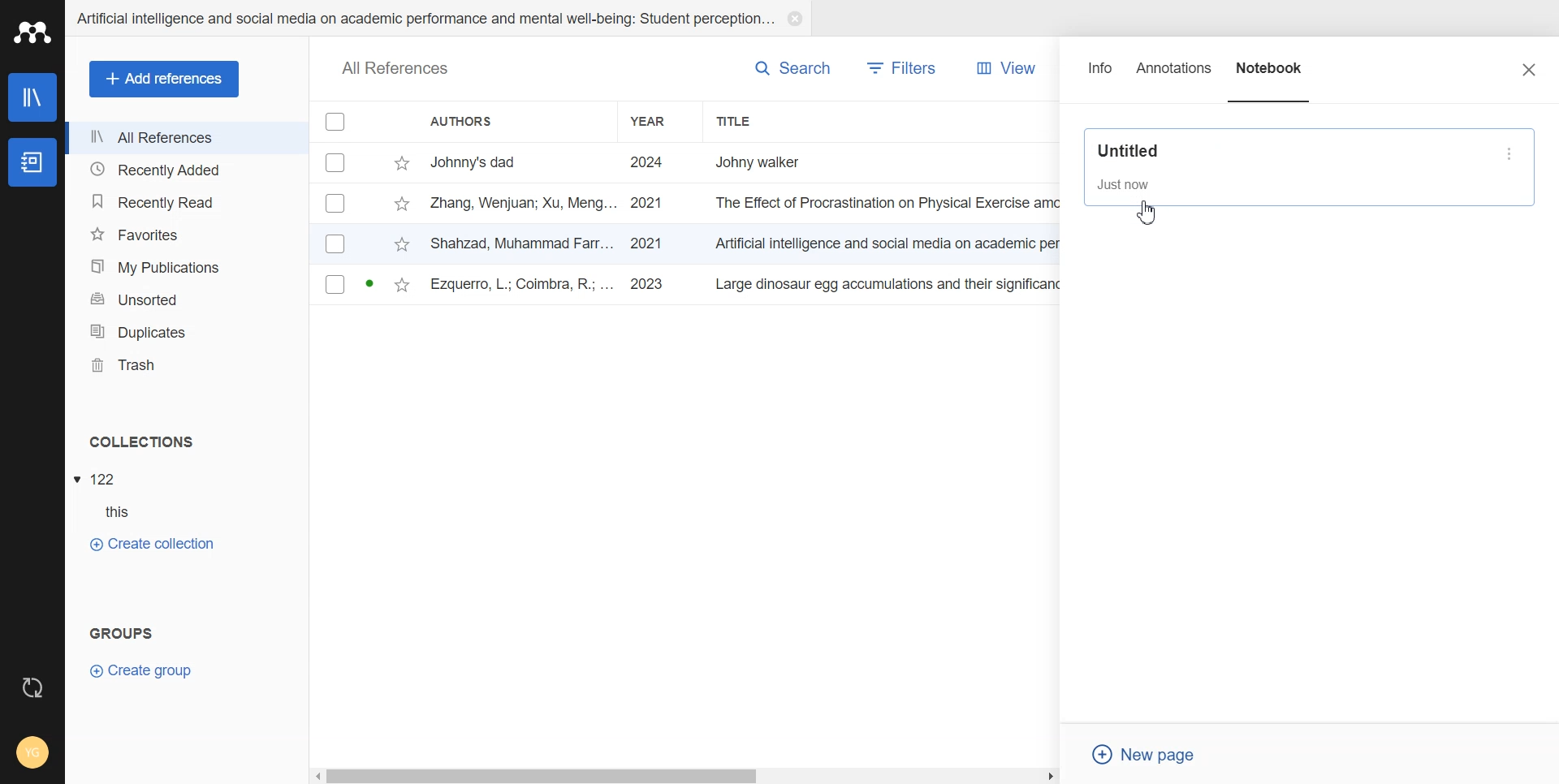  What do you see at coordinates (767, 121) in the screenshot?
I see `Title` at bounding box center [767, 121].